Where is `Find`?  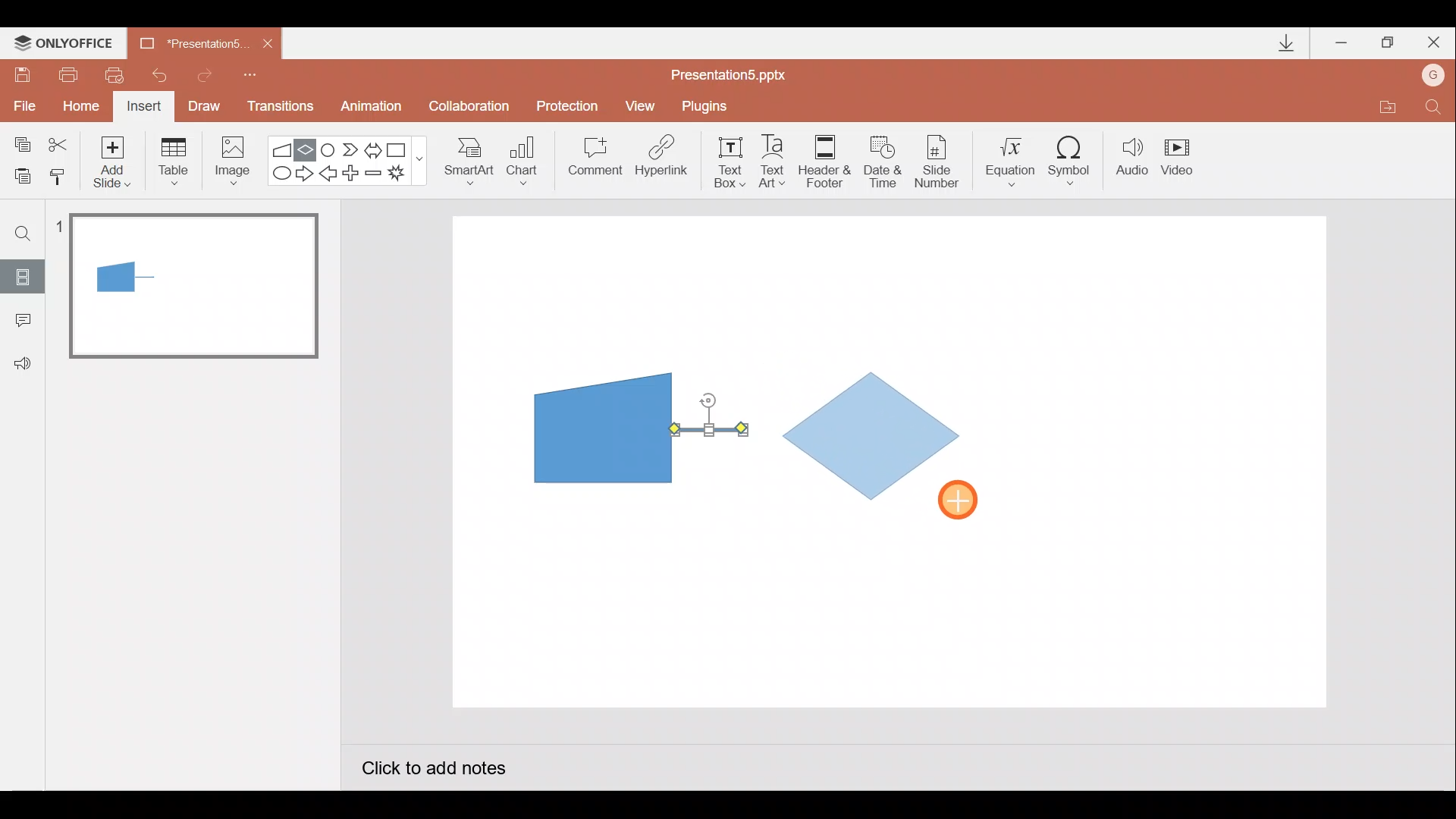 Find is located at coordinates (1433, 111).